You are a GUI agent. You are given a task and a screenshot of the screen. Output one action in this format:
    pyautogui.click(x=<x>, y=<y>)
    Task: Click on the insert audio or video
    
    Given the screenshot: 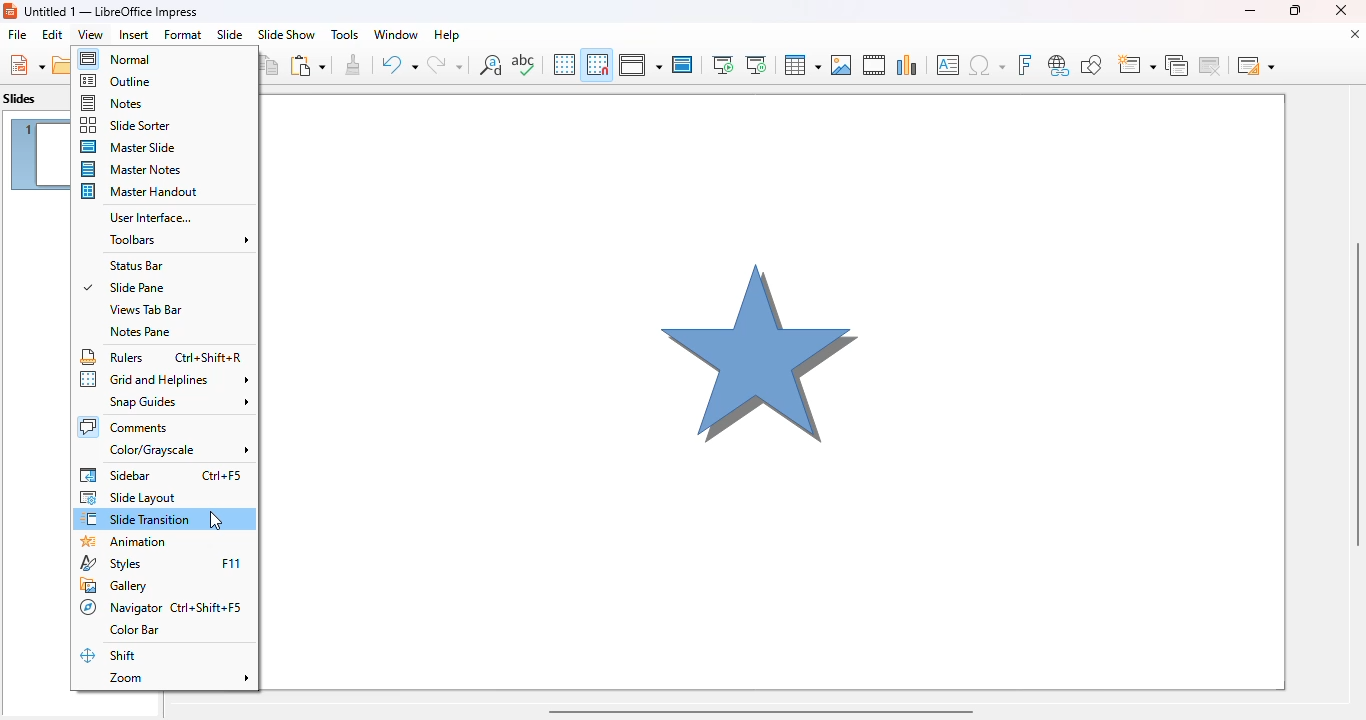 What is the action you would take?
    pyautogui.click(x=875, y=65)
    